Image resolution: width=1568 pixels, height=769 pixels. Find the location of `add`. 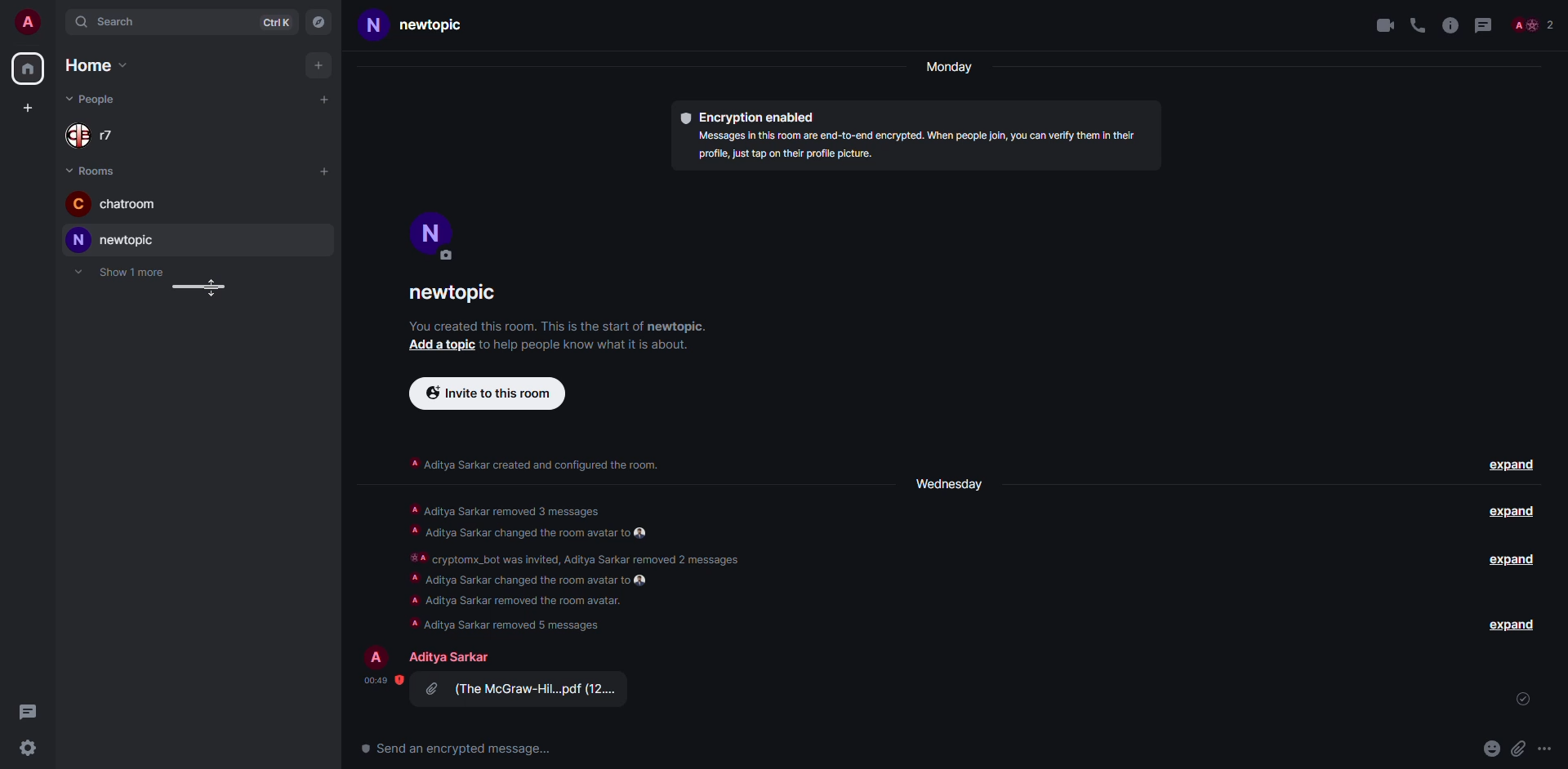

add is located at coordinates (323, 101).